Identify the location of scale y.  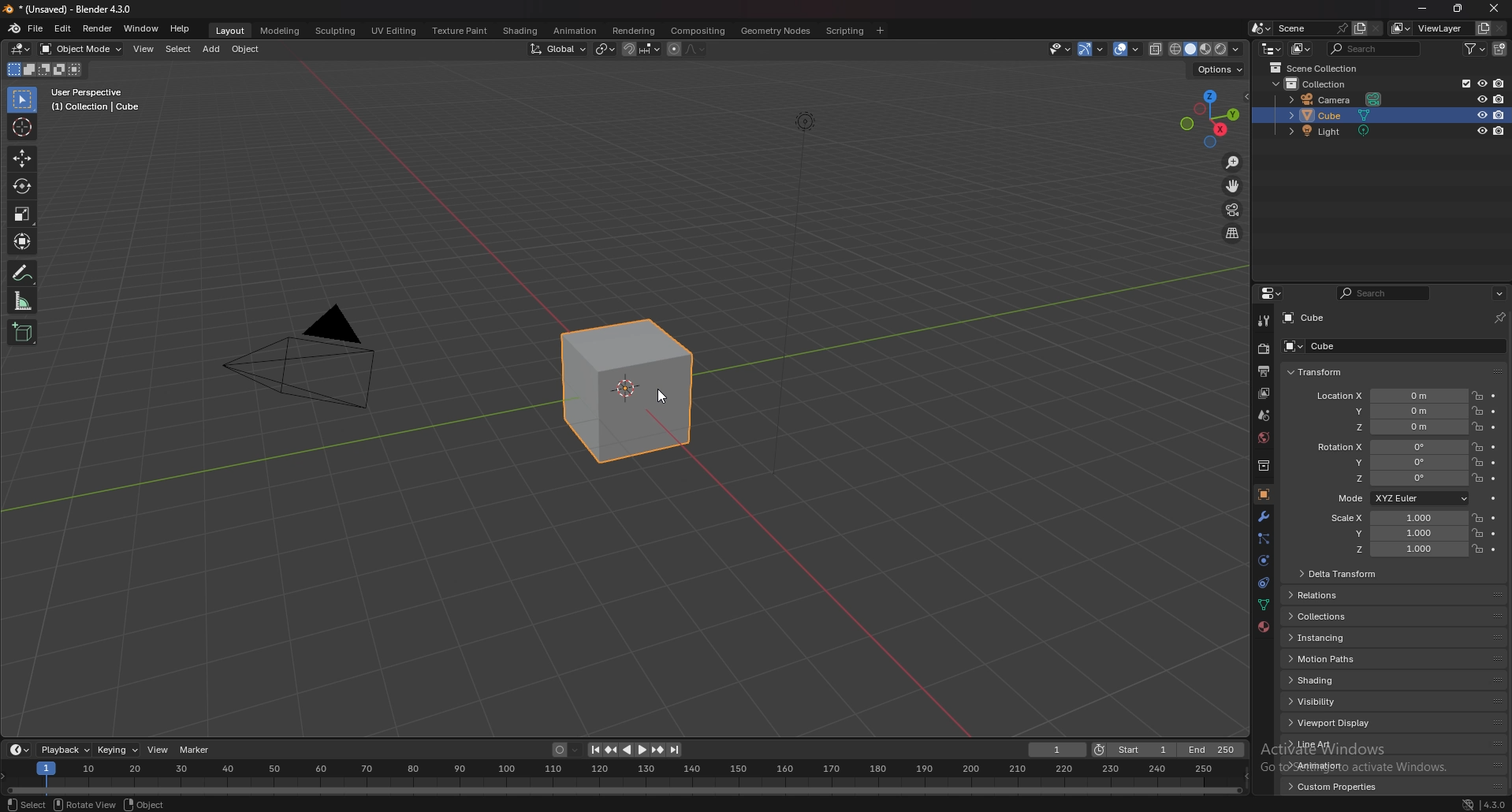
(1398, 535).